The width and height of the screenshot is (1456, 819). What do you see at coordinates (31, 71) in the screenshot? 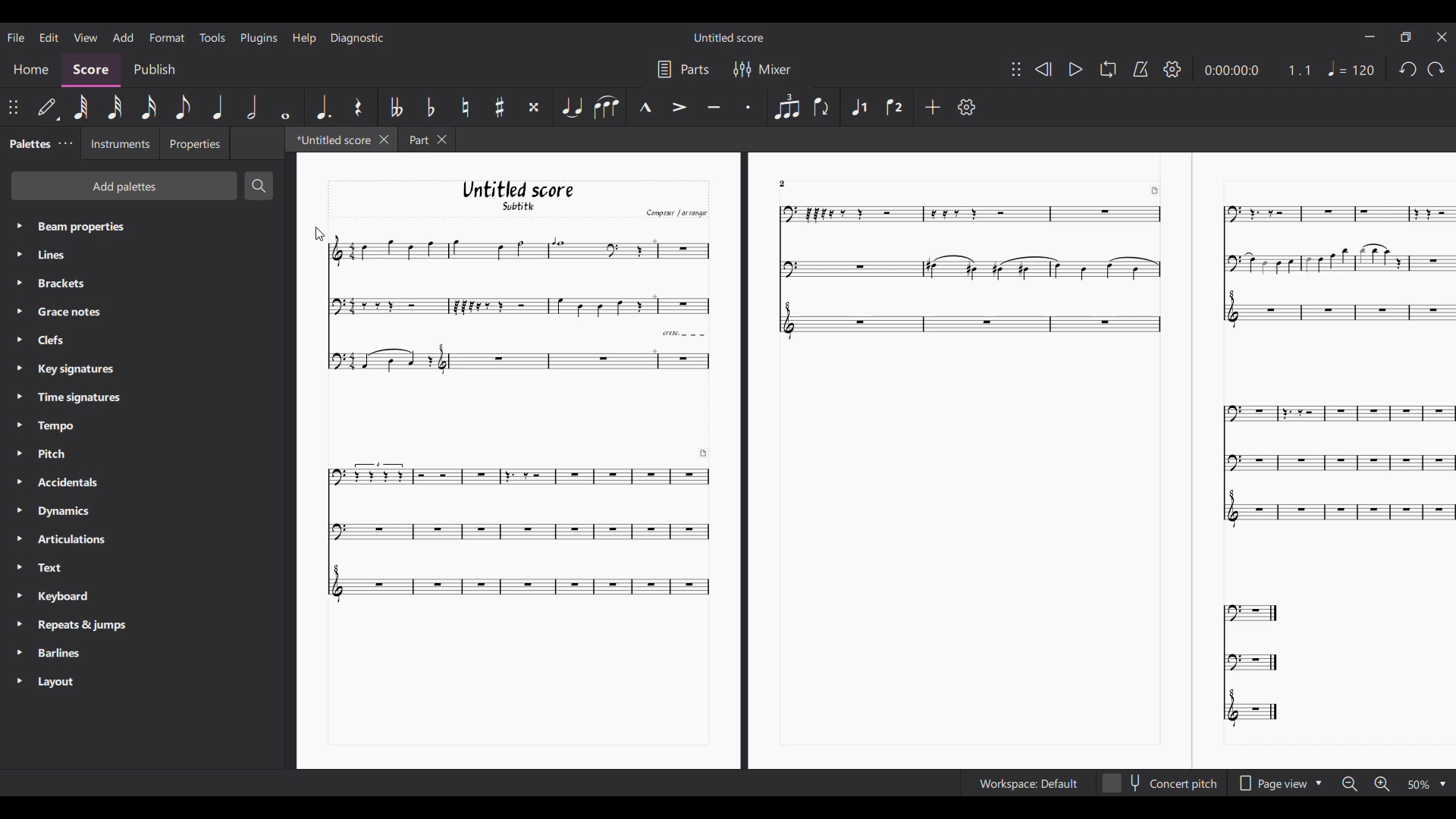
I see `Home ` at bounding box center [31, 71].